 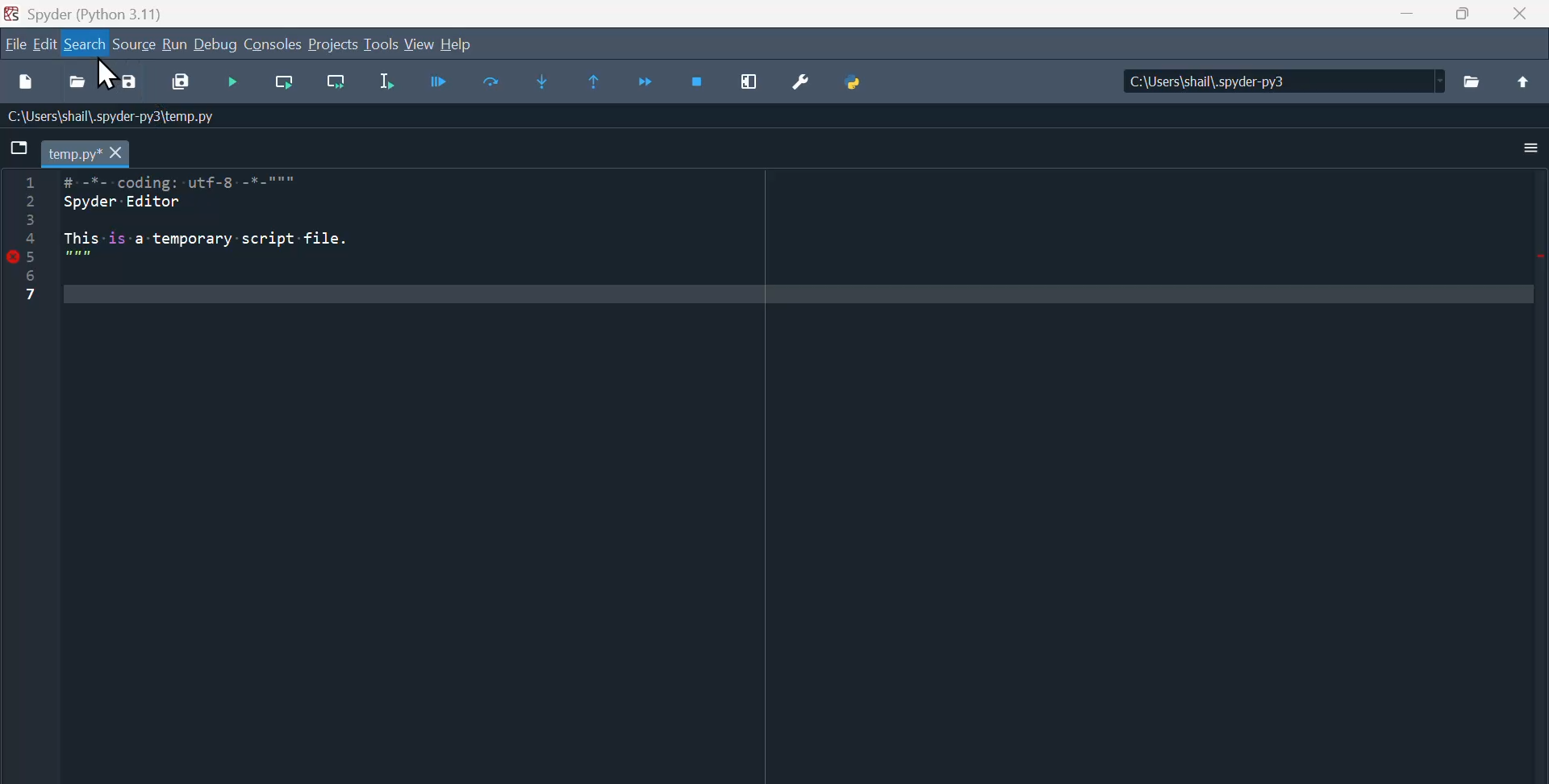 I want to click on Run, so click(x=174, y=47).